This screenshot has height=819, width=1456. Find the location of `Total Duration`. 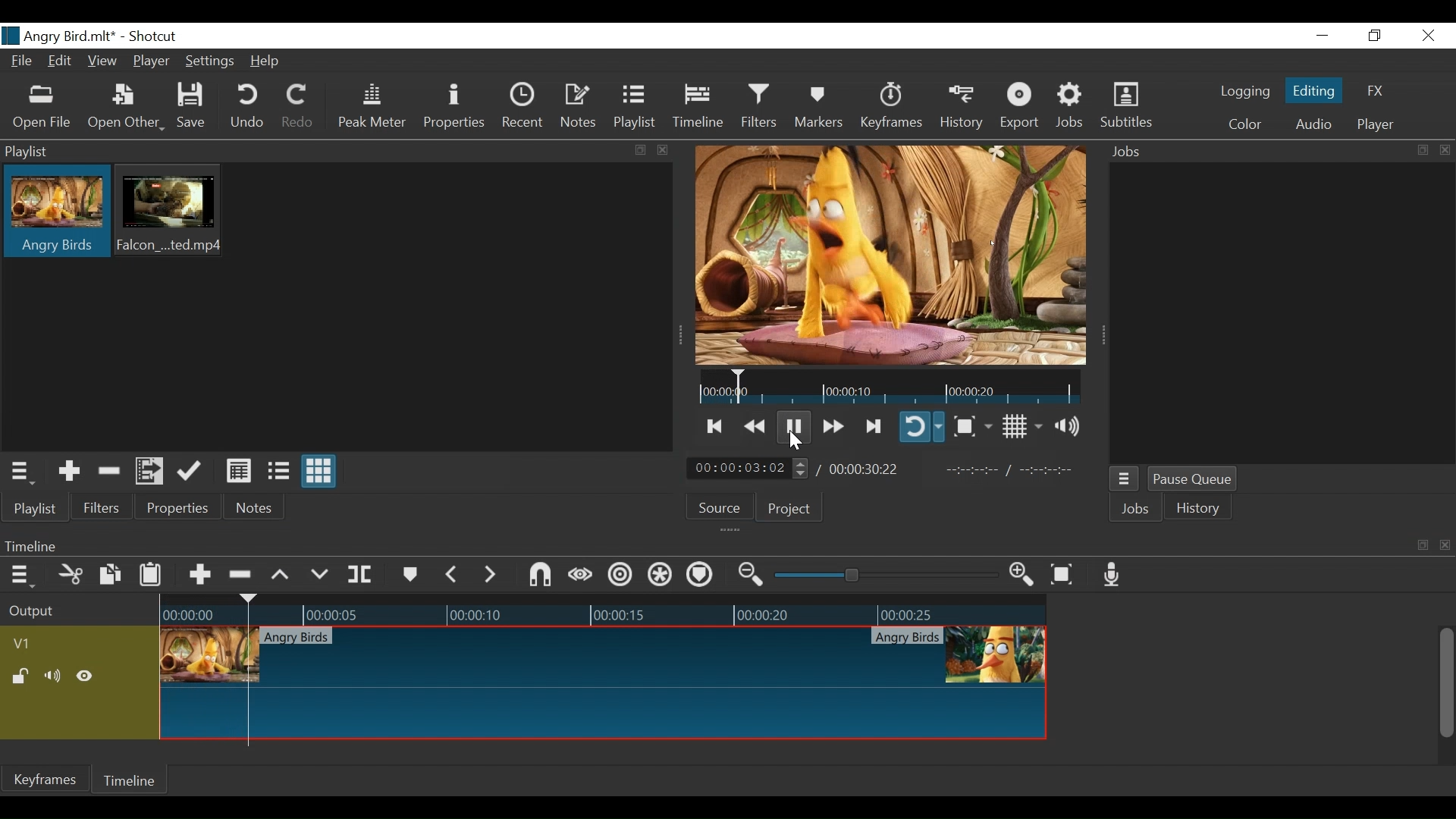

Total Duration is located at coordinates (870, 469).